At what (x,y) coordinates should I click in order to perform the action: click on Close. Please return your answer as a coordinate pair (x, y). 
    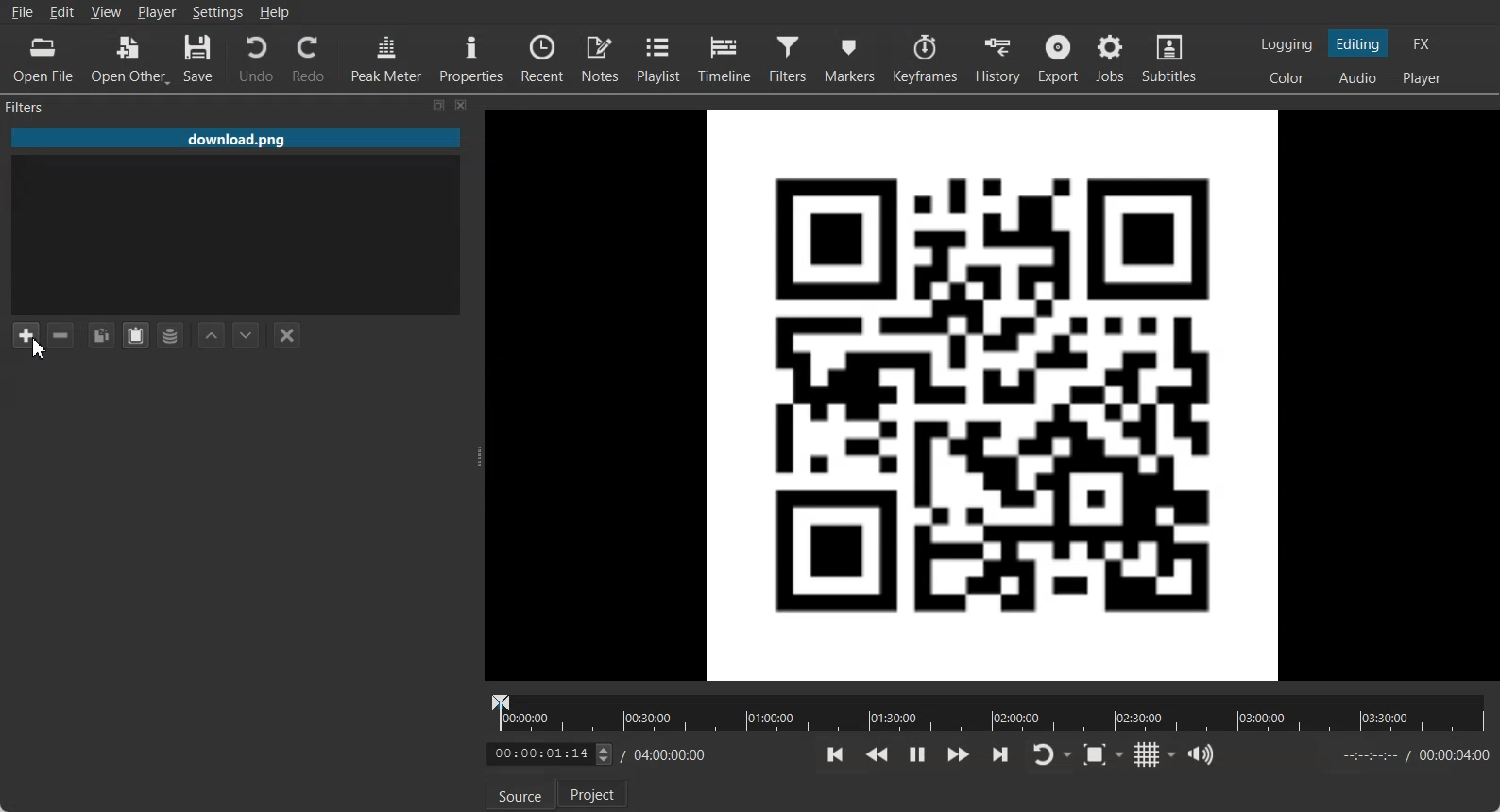
    Looking at the image, I should click on (462, 105).